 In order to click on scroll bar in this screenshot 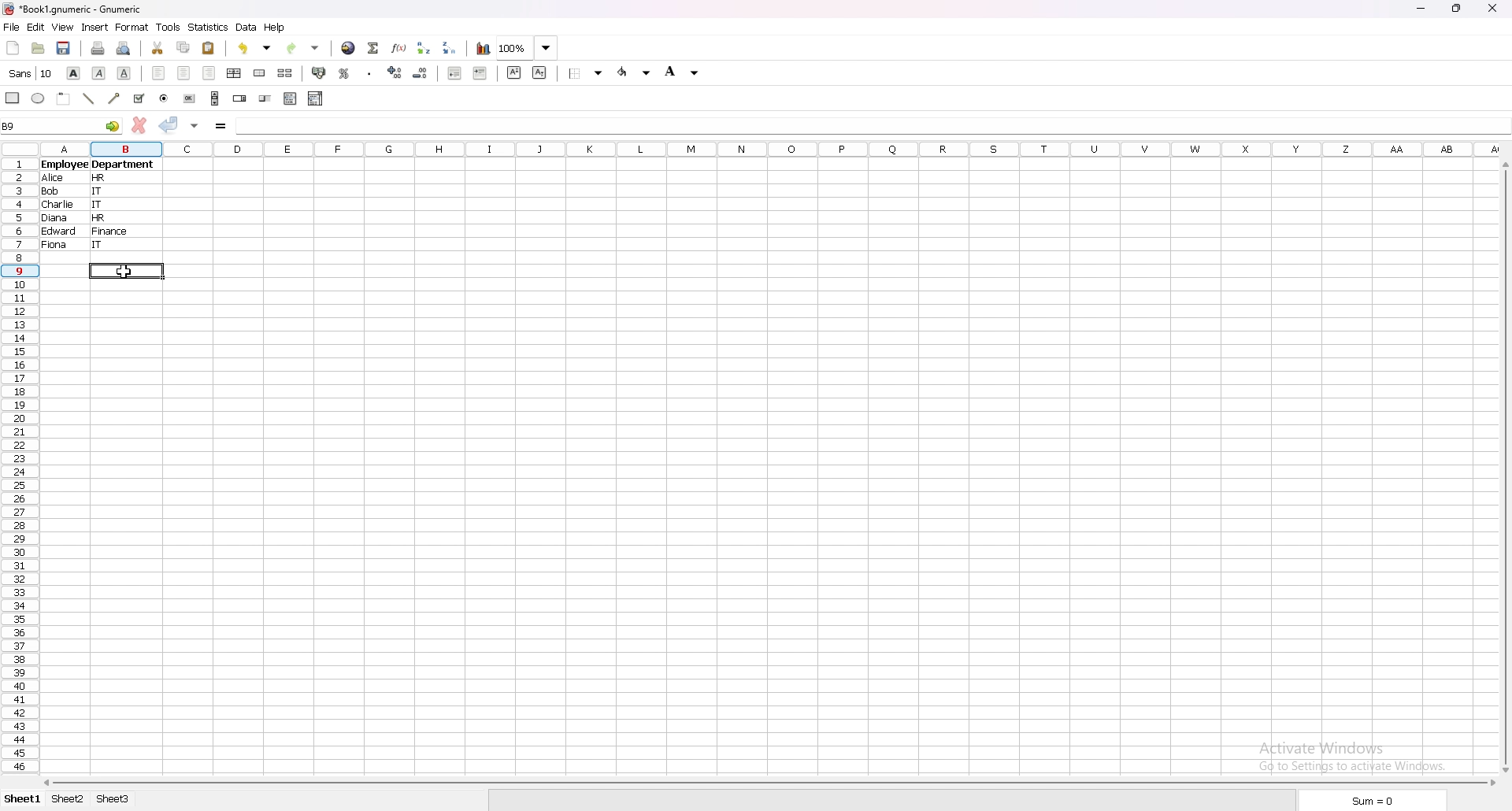, I will do `click(216, 98)`.